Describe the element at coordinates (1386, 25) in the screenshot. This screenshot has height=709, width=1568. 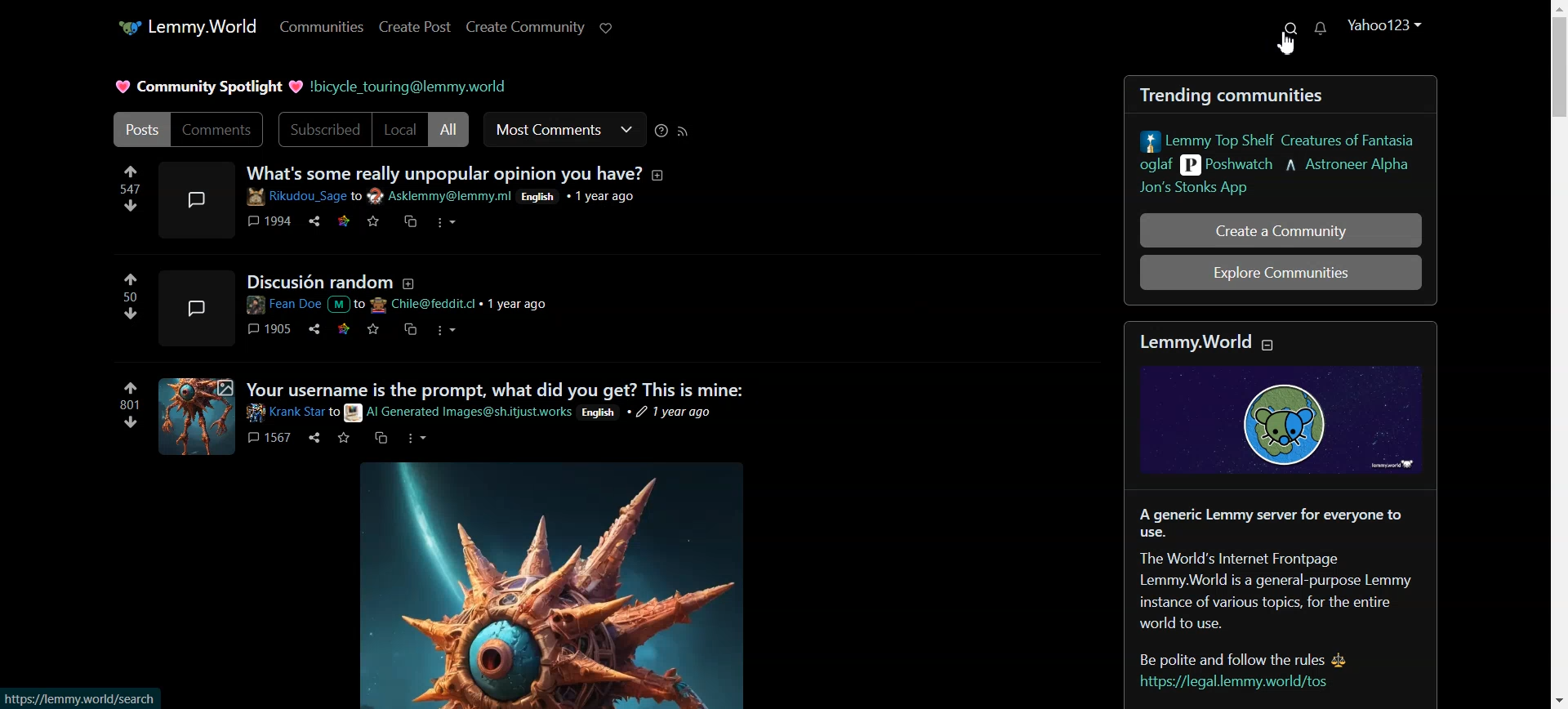
I see `Yahoo123` at that location.